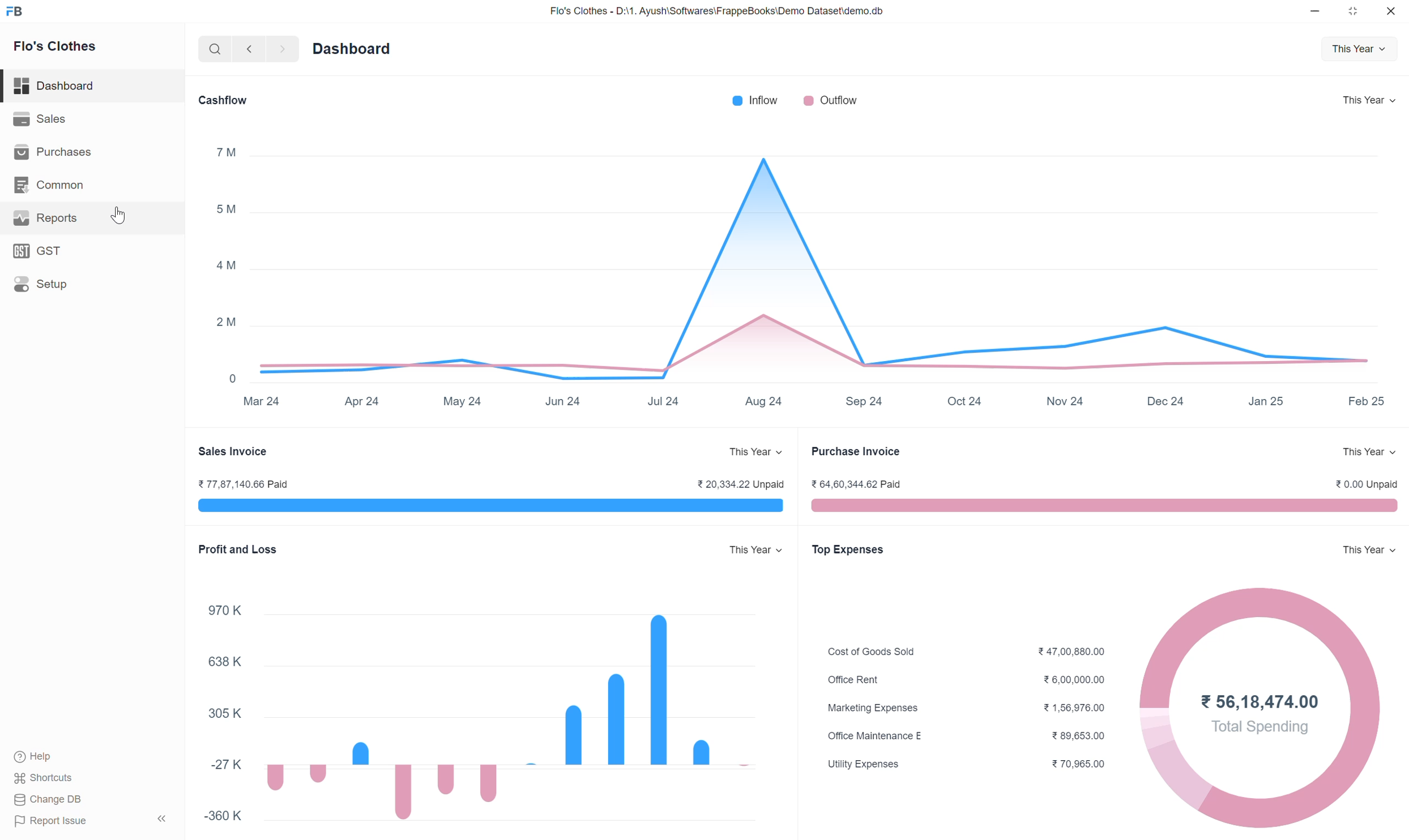 This screenshot has width=1409, height=840. Describe the element at coordinates (263, 404) in the screenshot. I see `mar 24` at that location.